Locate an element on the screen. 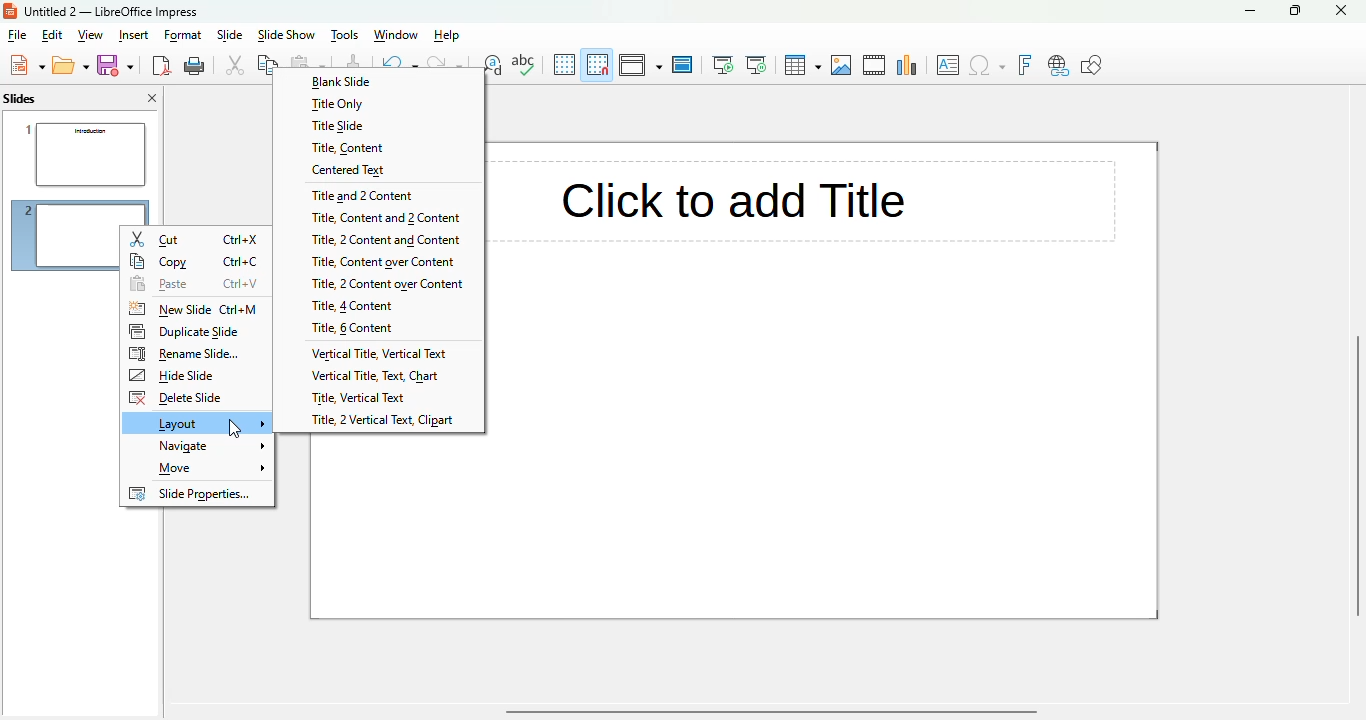 The width and height of the screenshot is (1366, 720). centered text is located at coordinates (377, 169).